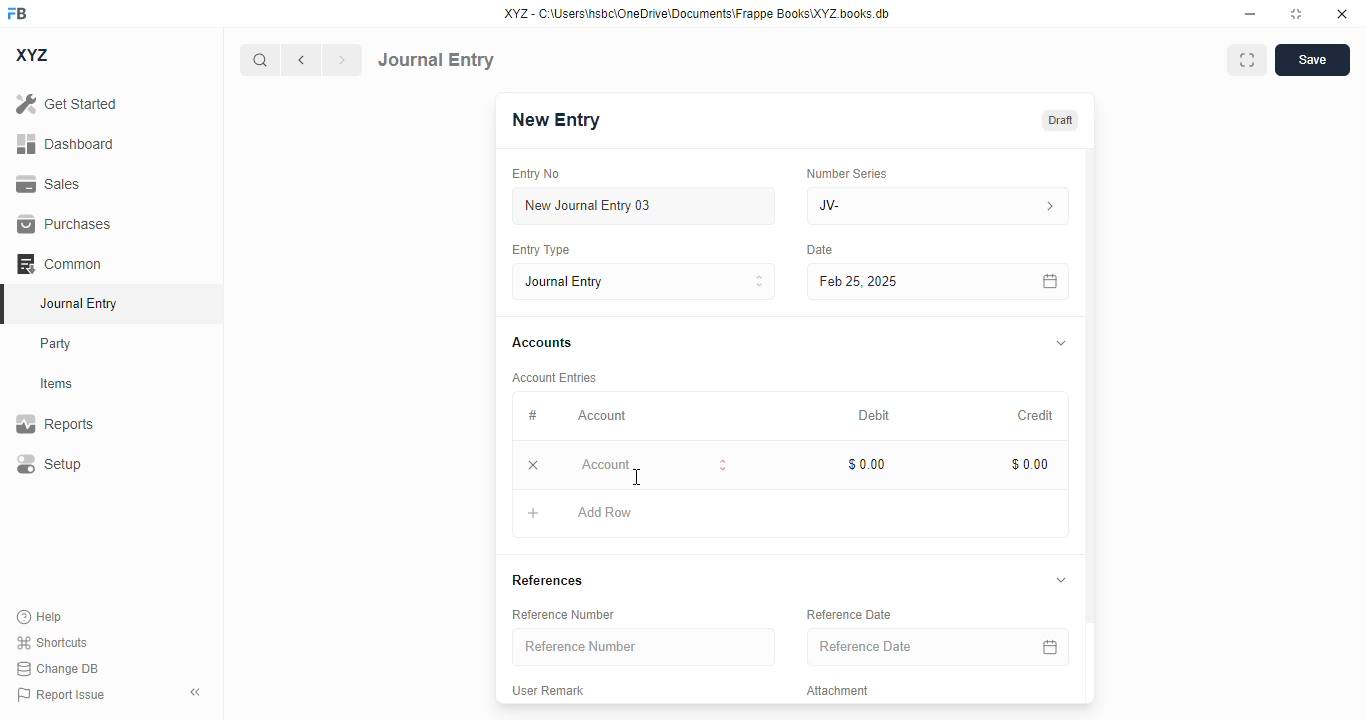 The image size is (1366, 720). What do you see at coordinates (17, 12) in the screenshot?
I see `FB logo` at bounding box center [17, 12].